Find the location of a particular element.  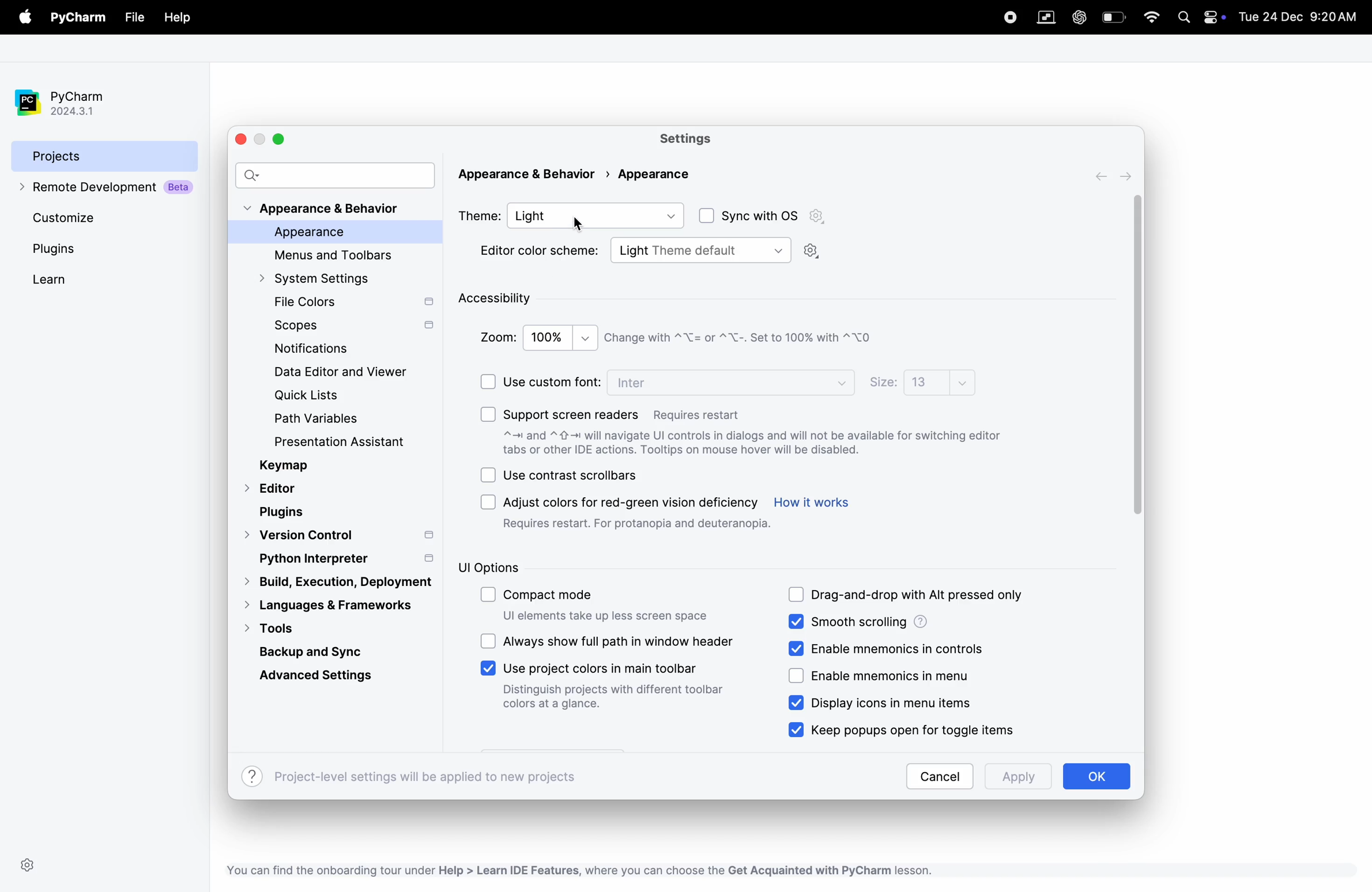

apple menu is located at coordinates (27, 18).